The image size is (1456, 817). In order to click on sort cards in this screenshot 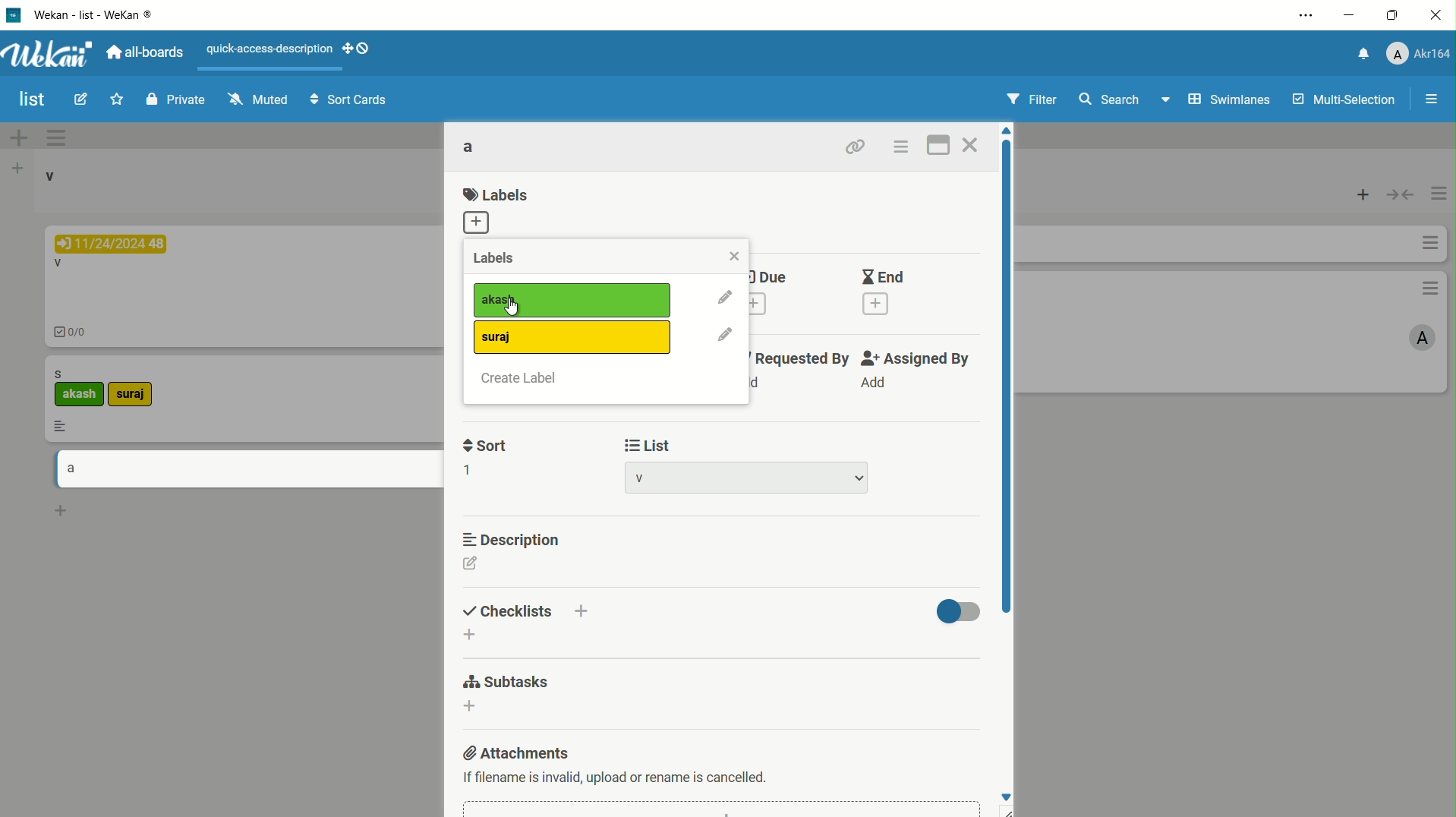, I will do `click(351, 101)`.